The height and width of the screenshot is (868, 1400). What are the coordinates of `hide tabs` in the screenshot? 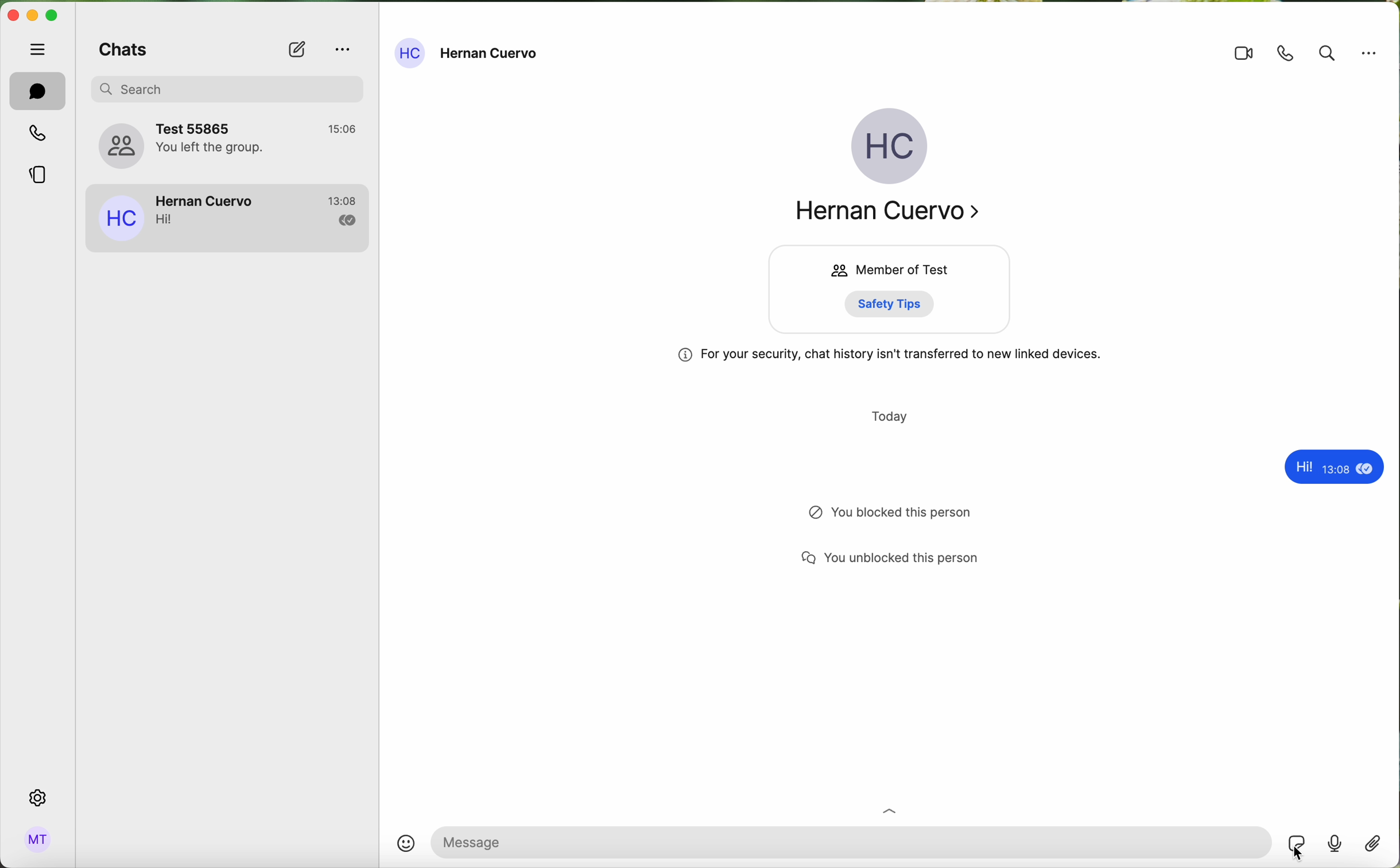 It's located at (39, 49).